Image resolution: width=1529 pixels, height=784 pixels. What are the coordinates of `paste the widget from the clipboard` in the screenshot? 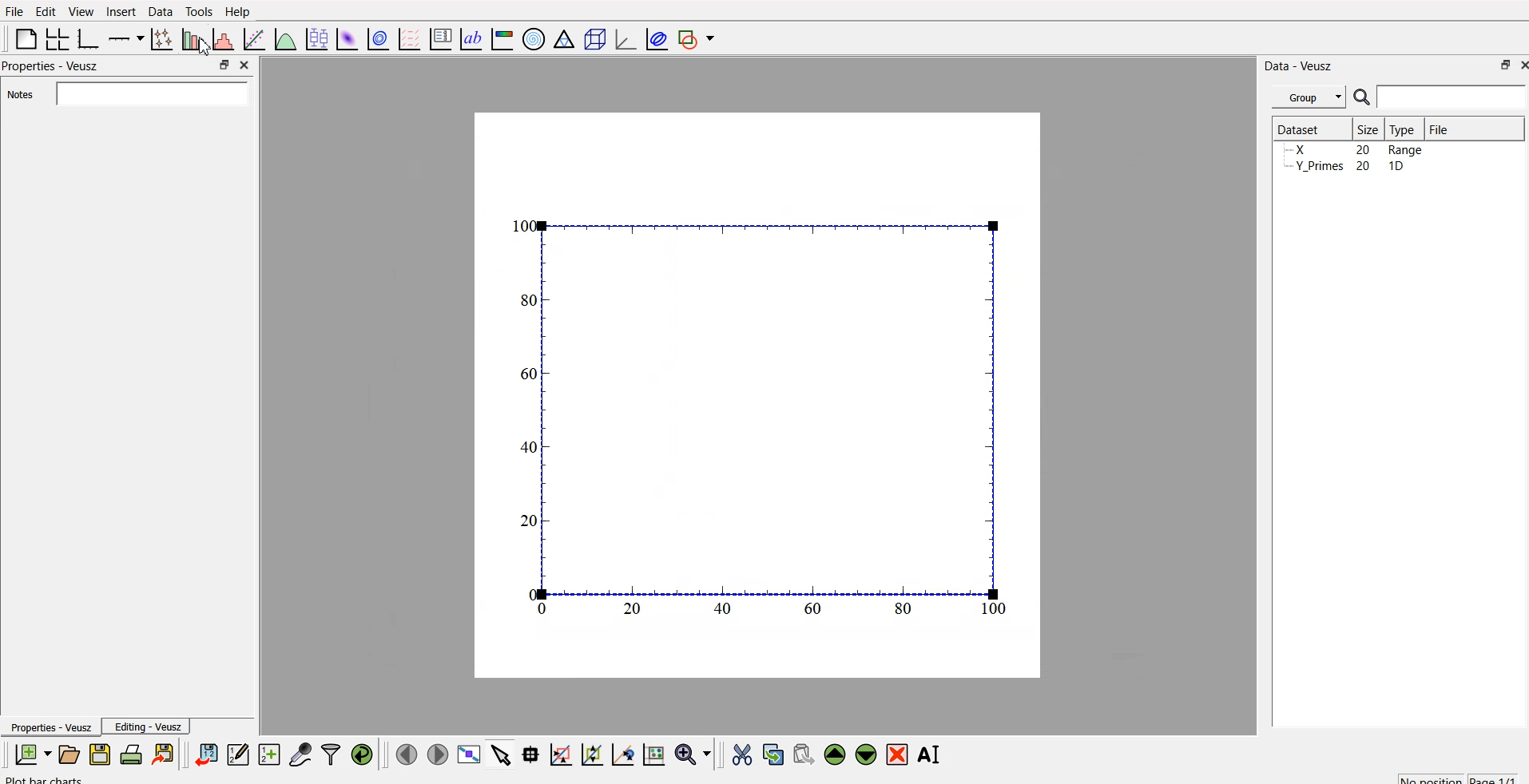 It's located at (804, 754).